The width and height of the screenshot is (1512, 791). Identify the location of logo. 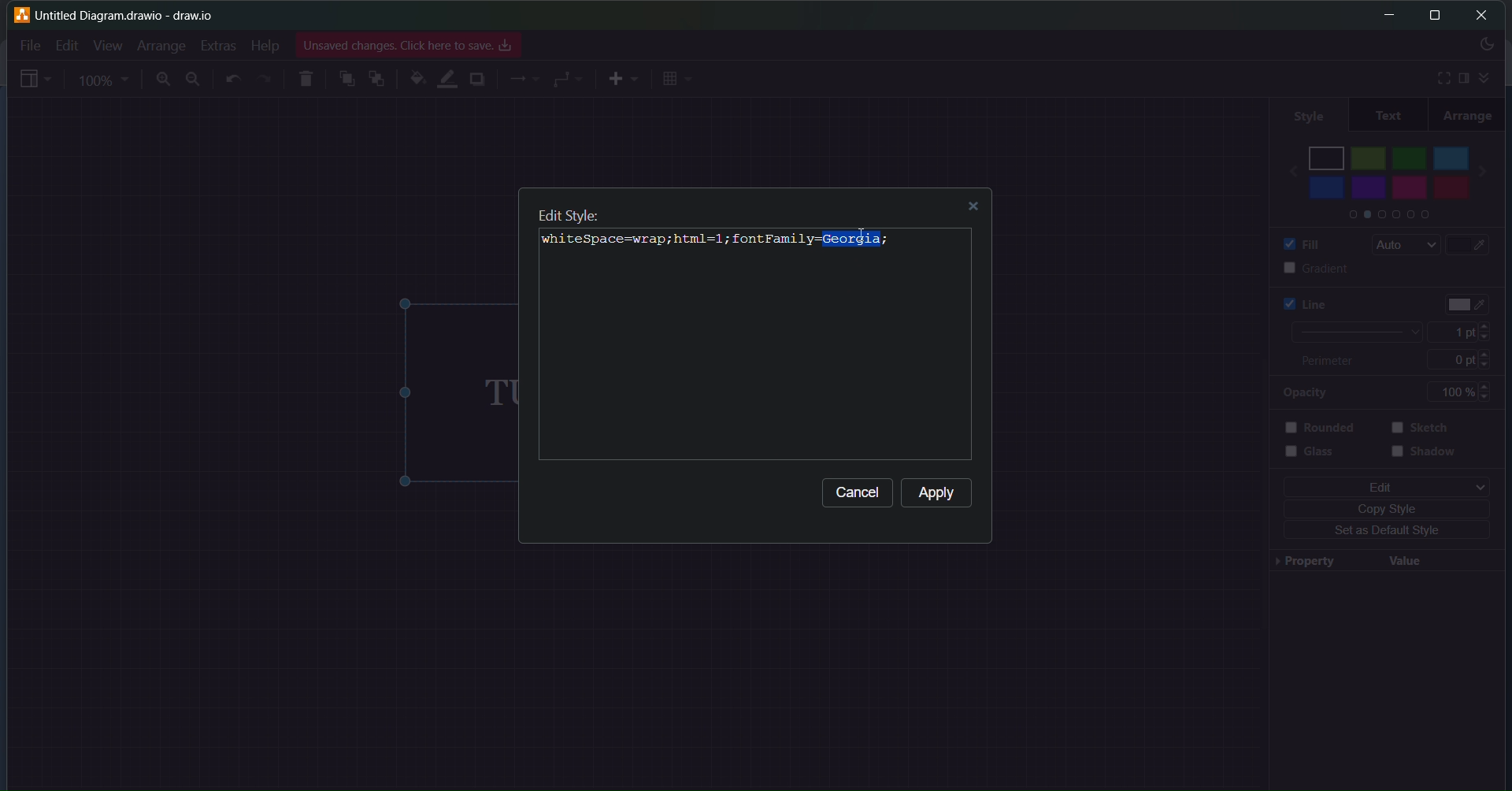
(20, 14).